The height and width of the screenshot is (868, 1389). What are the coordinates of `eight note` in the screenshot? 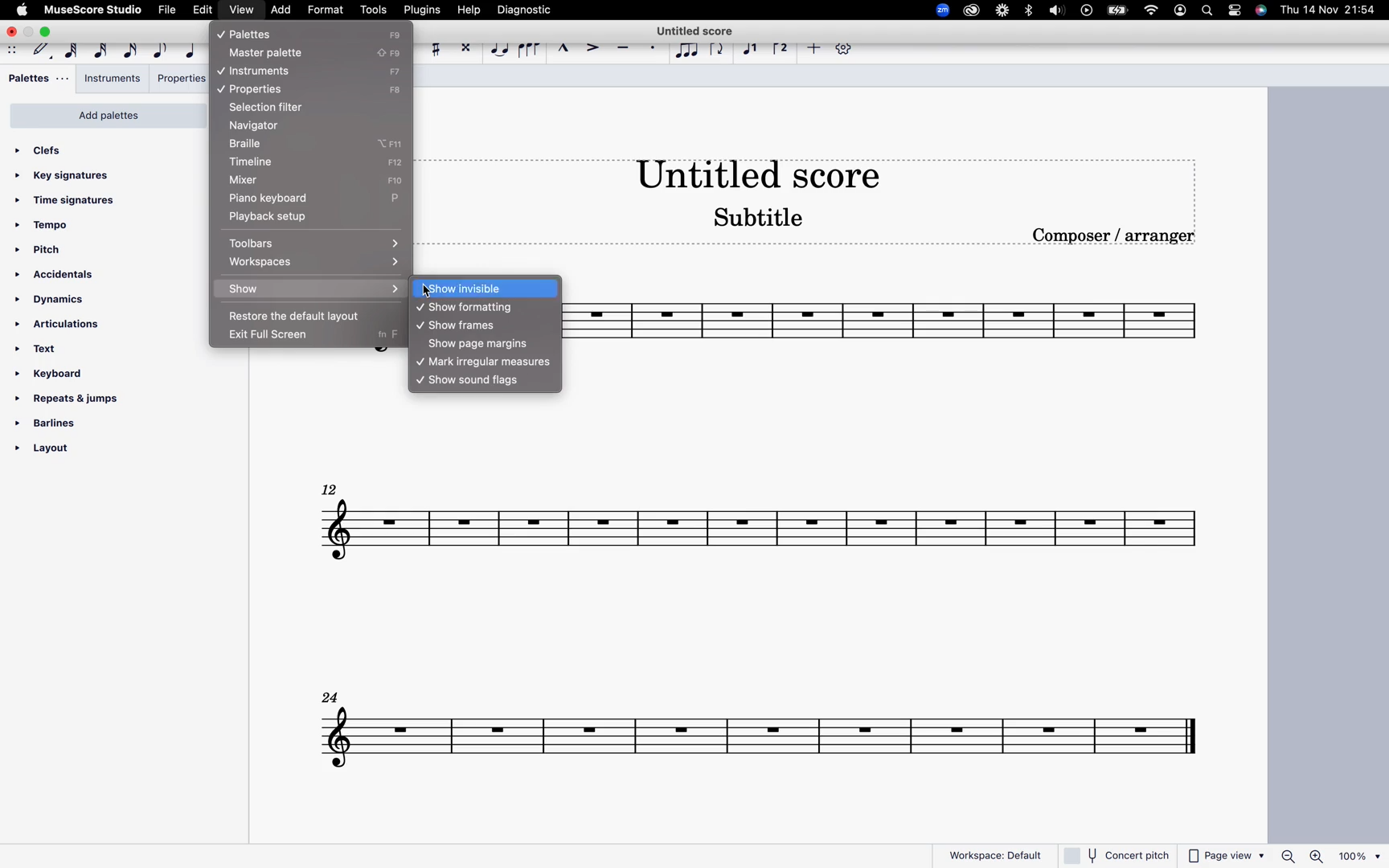 It's located at (158, 51).